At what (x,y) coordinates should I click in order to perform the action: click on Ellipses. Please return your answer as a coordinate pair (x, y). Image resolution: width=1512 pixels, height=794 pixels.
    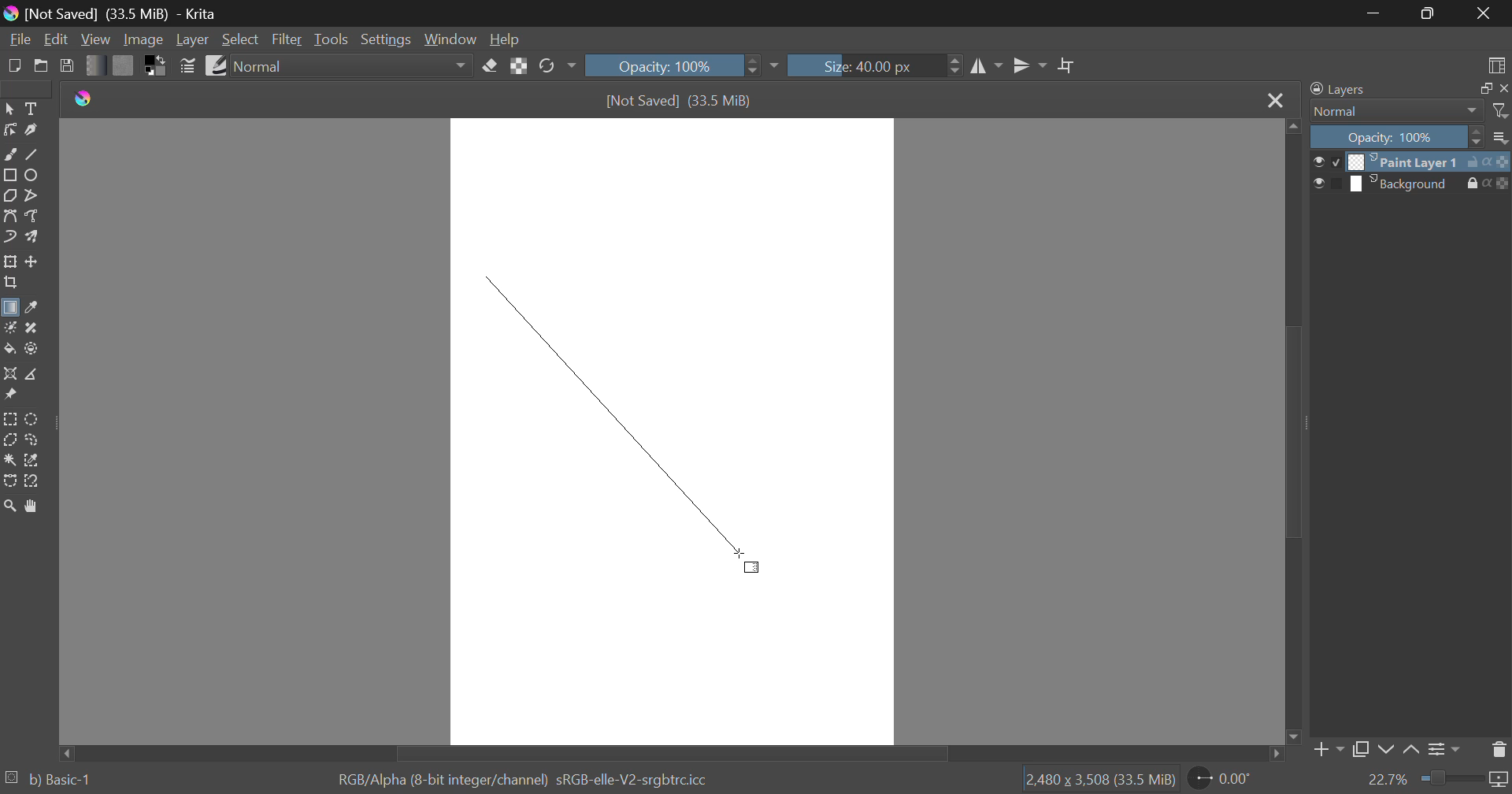
    Looking at the image, I should click on (32, 175).